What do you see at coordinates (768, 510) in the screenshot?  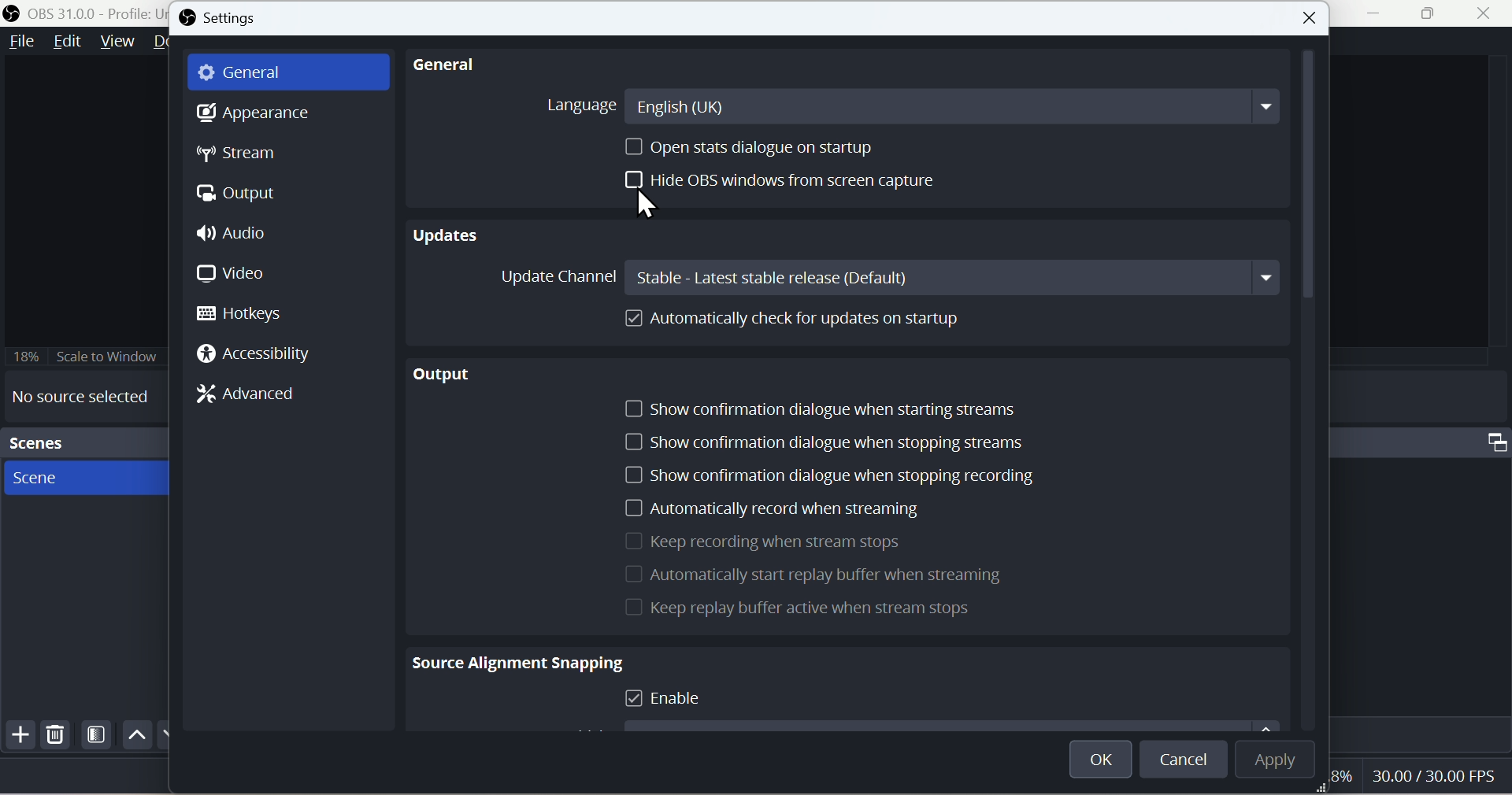 I see `Automatically record when is streaming` at bounding box center [768, 510].